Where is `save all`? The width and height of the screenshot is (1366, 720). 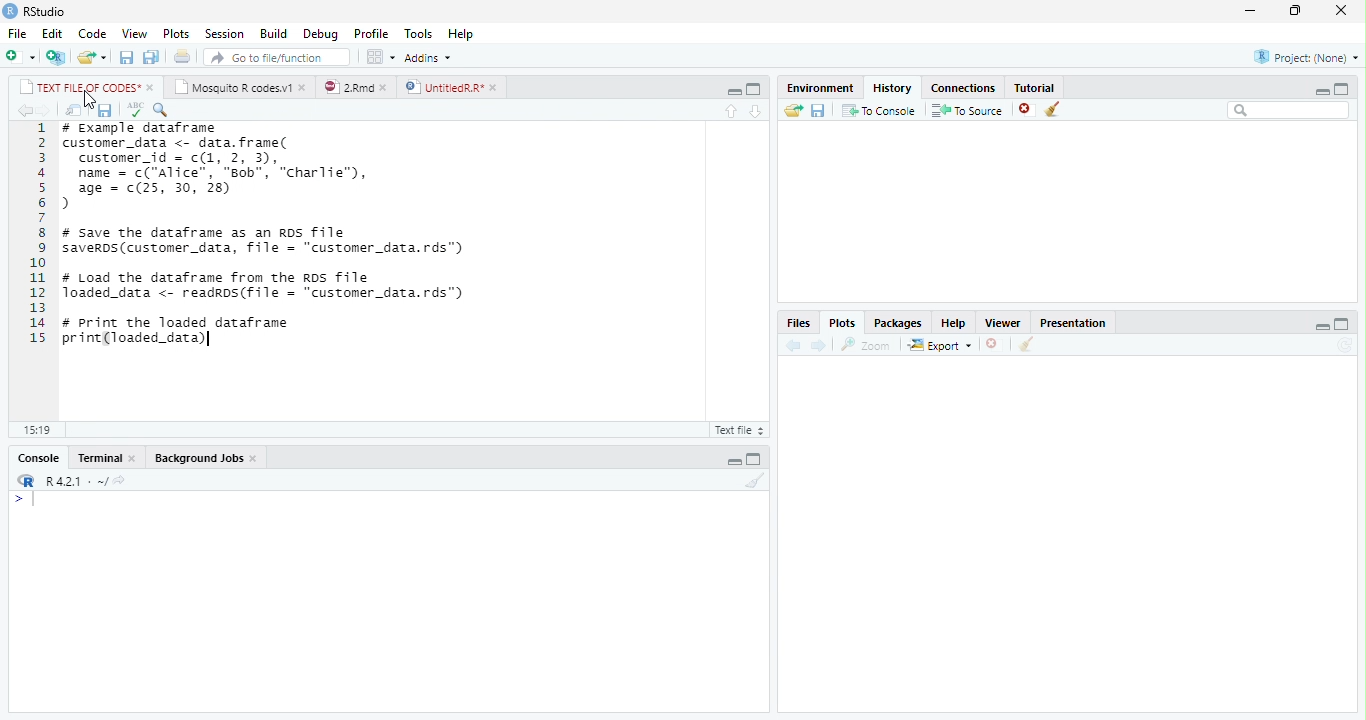
save all is located at coordinates (151, 58).